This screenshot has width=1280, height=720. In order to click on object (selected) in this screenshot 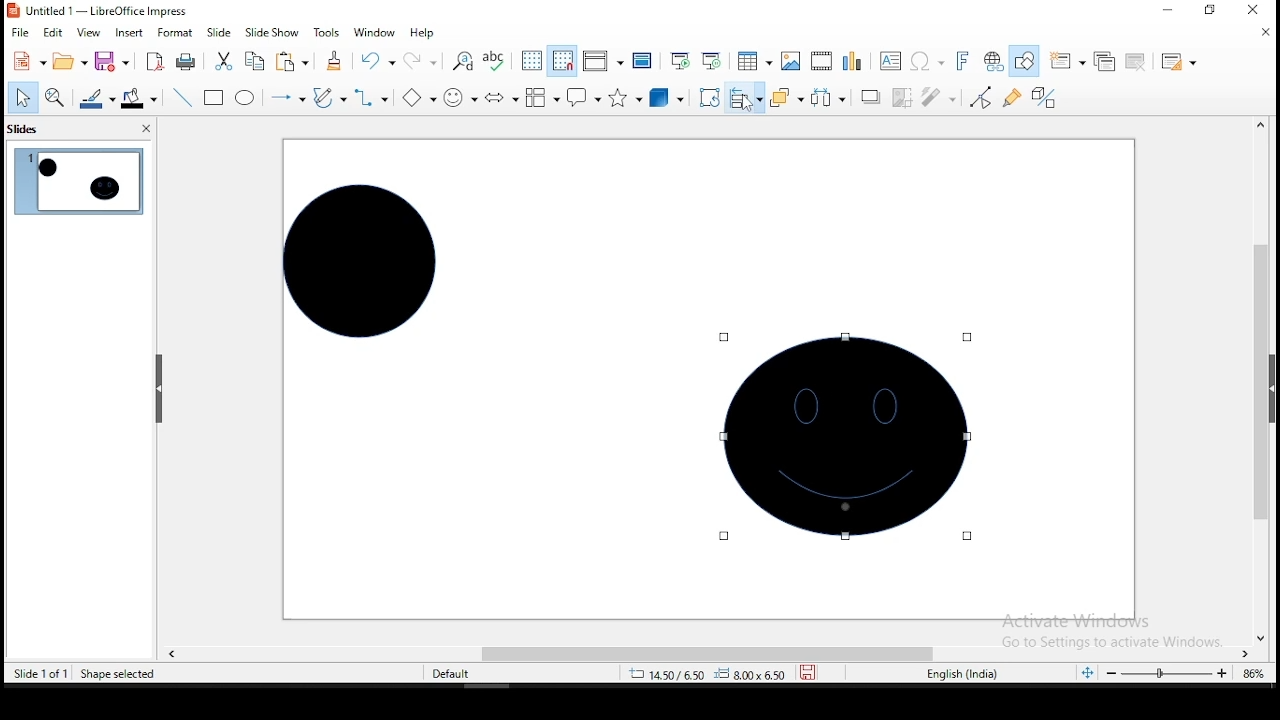, I will do `click(848, 437)`.